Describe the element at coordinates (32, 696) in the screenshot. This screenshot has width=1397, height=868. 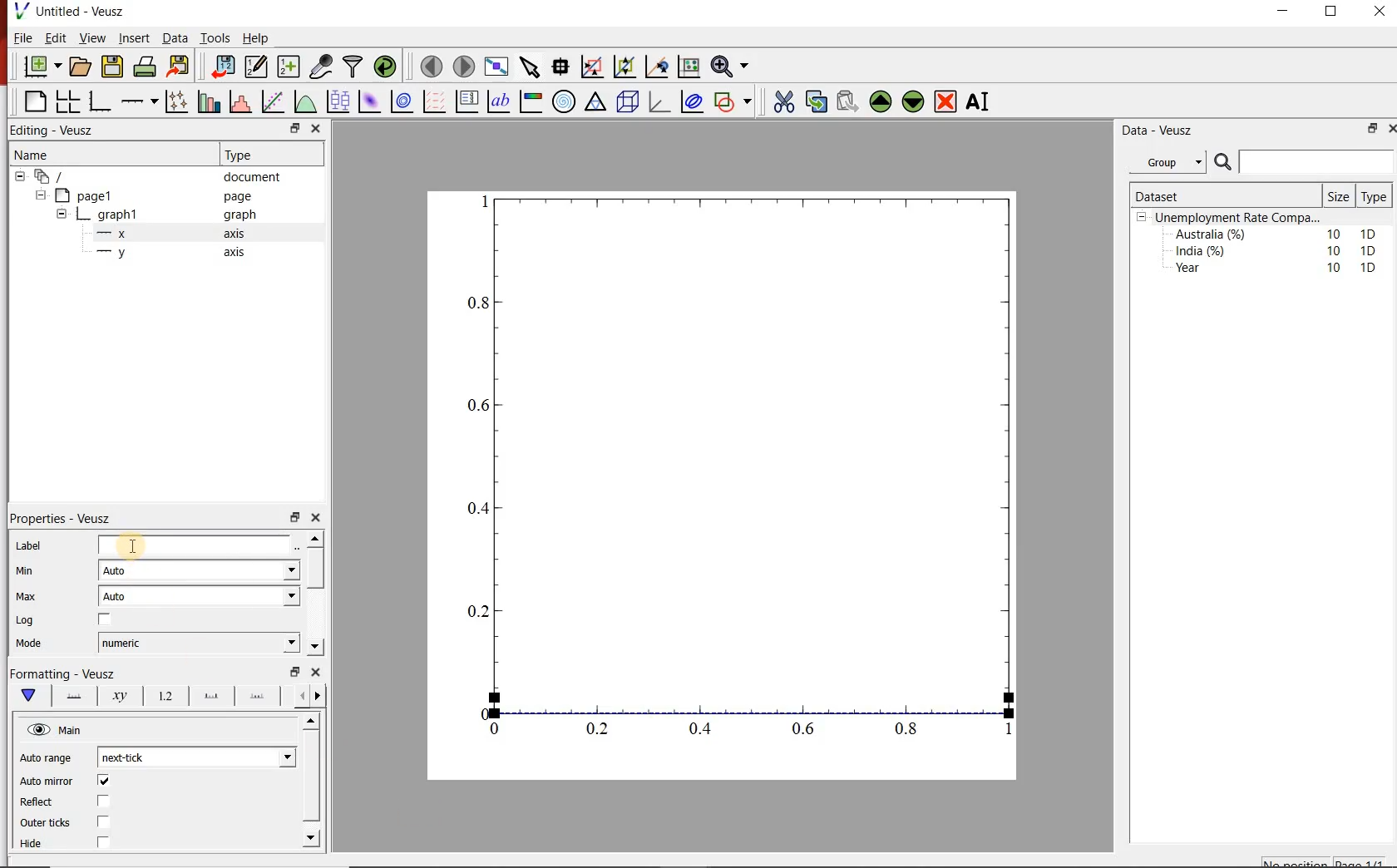
I see `main` at that location.